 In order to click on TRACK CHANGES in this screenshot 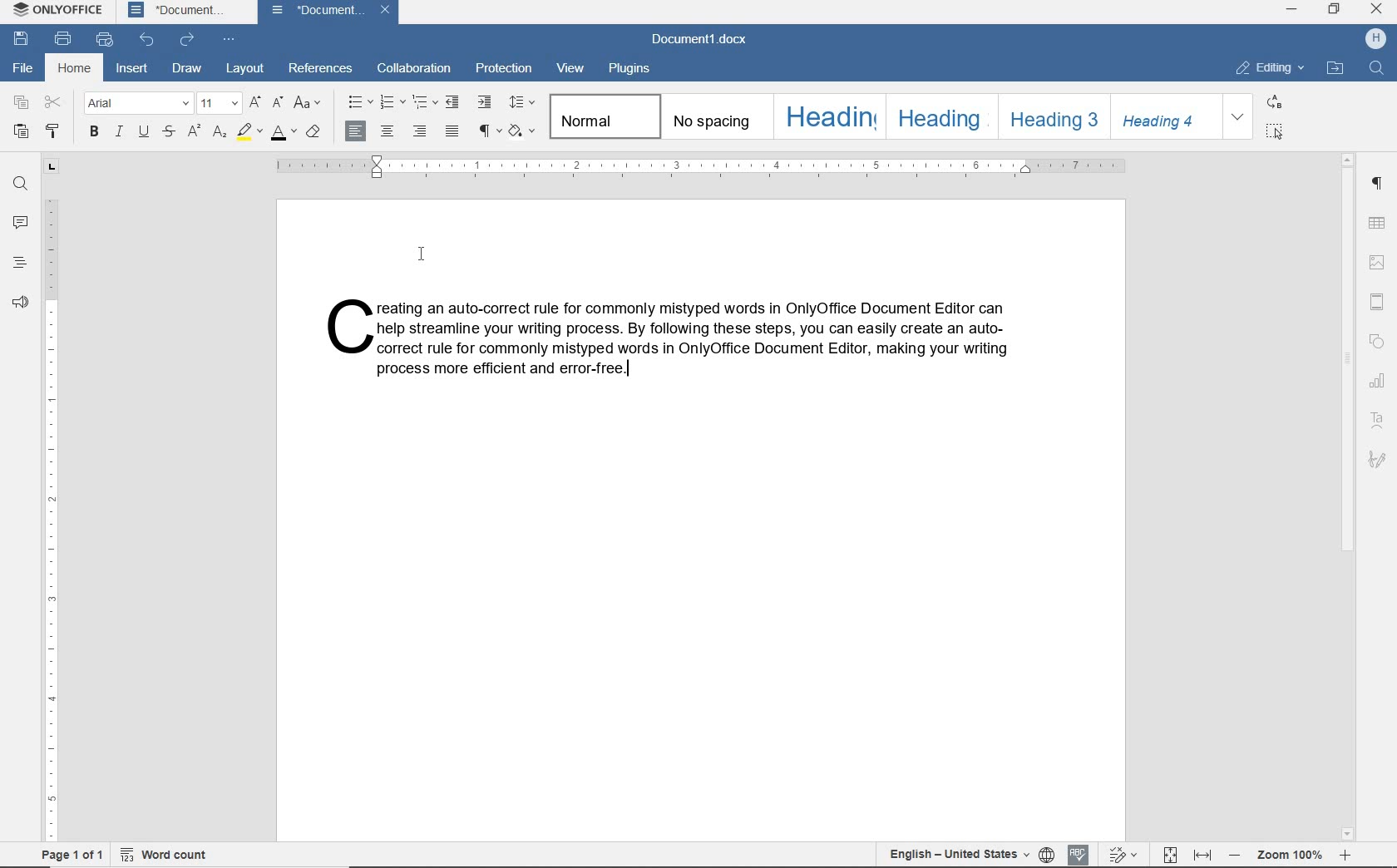, I will do `click(1125, 856)`.